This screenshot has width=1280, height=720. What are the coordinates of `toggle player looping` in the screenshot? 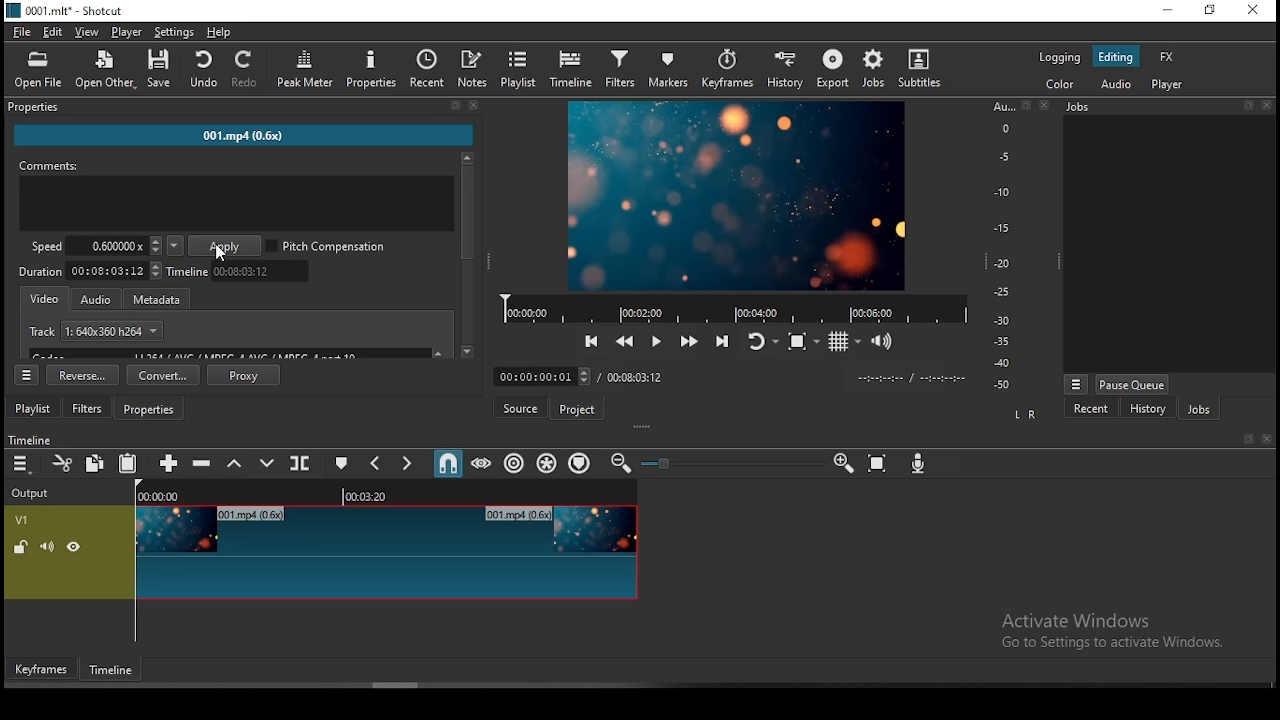 It's located at (761, 340).